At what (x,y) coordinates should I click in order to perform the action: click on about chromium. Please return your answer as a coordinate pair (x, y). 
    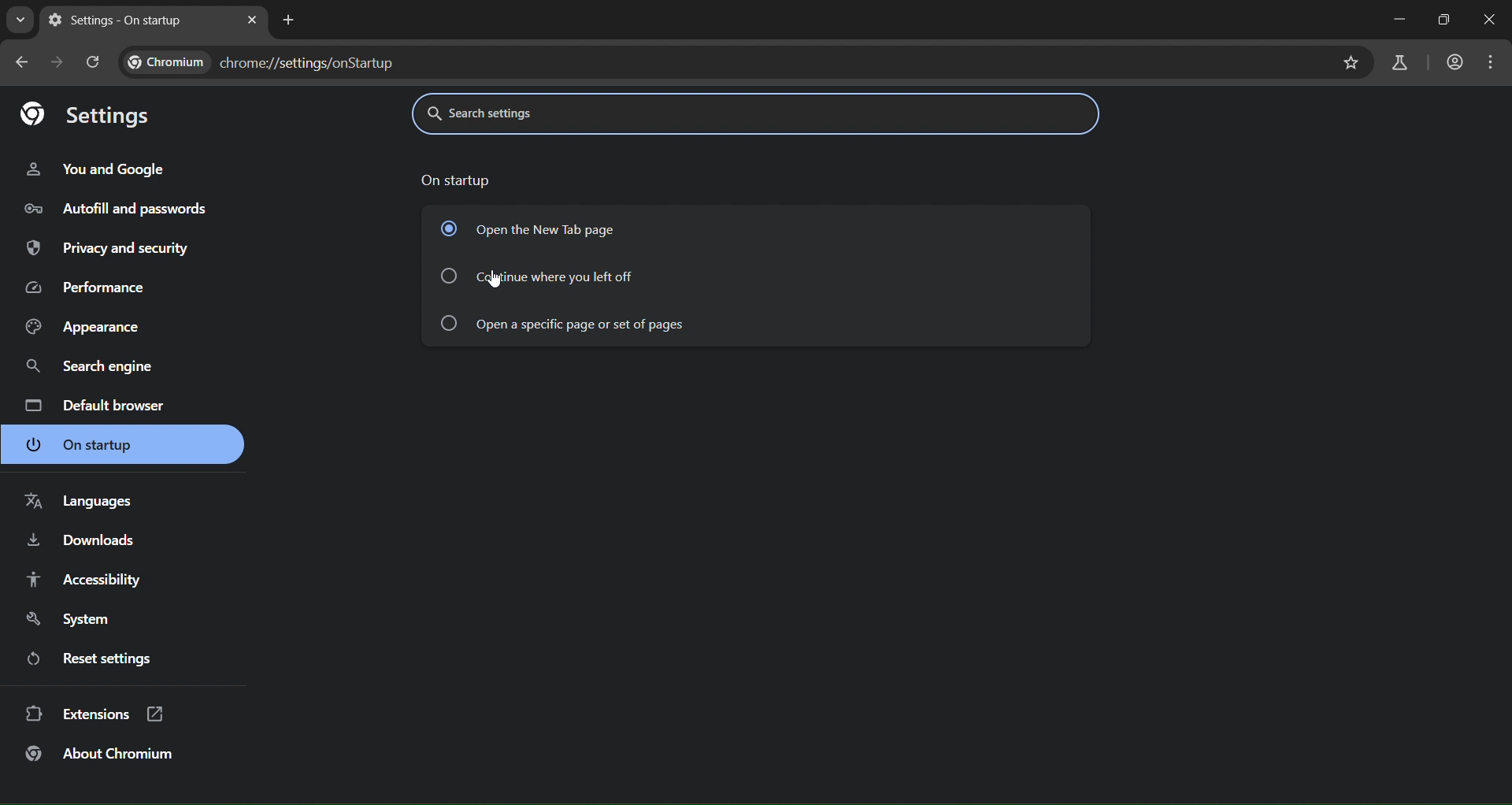
    Looking at the image, I should click on (102, 753).